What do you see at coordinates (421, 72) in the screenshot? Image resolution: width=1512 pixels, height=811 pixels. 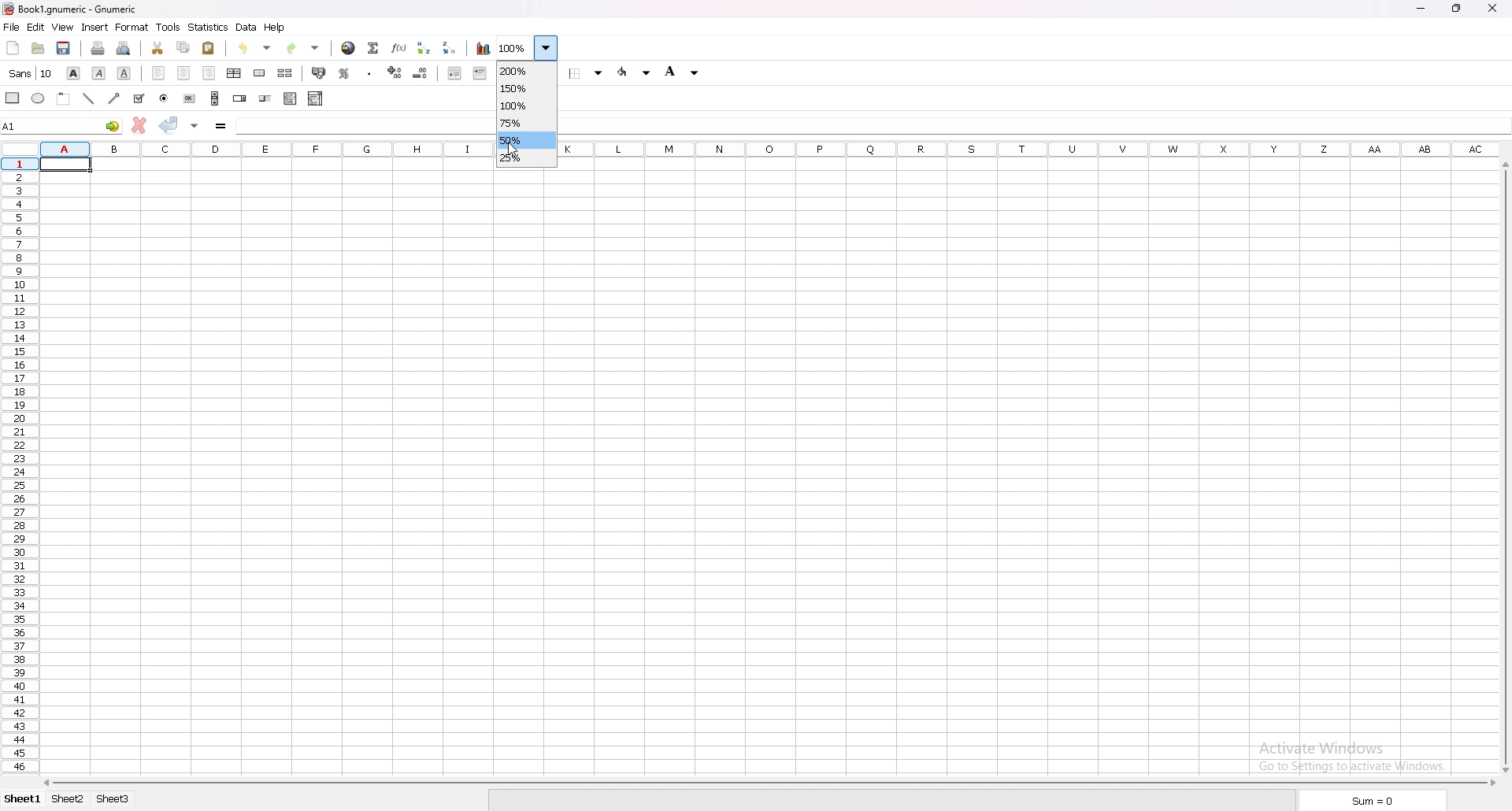 I see `decrease decimals` at bounding box center [421, 72].